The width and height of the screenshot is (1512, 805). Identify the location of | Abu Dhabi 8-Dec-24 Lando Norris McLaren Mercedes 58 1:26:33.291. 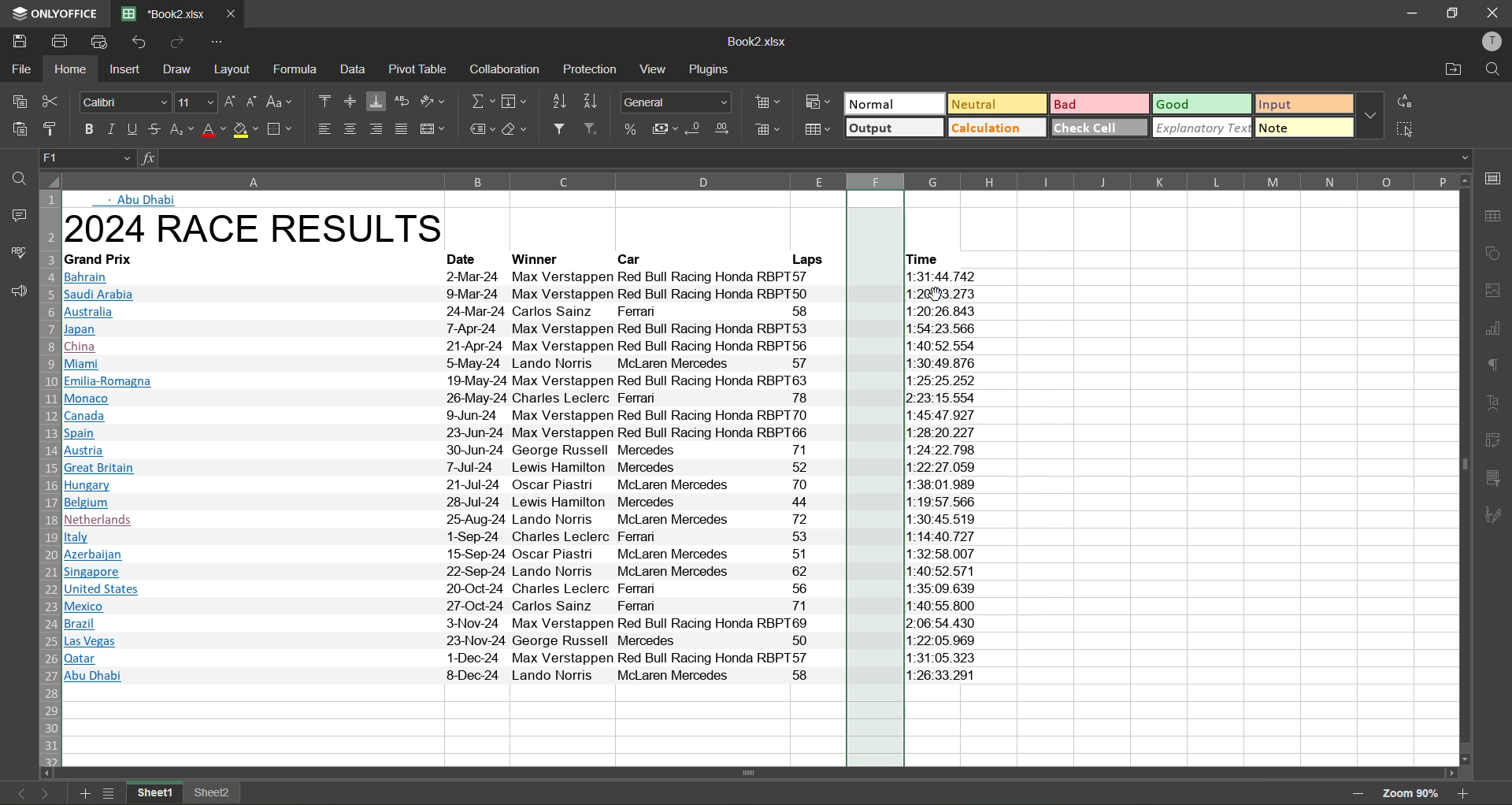
(440, 674).